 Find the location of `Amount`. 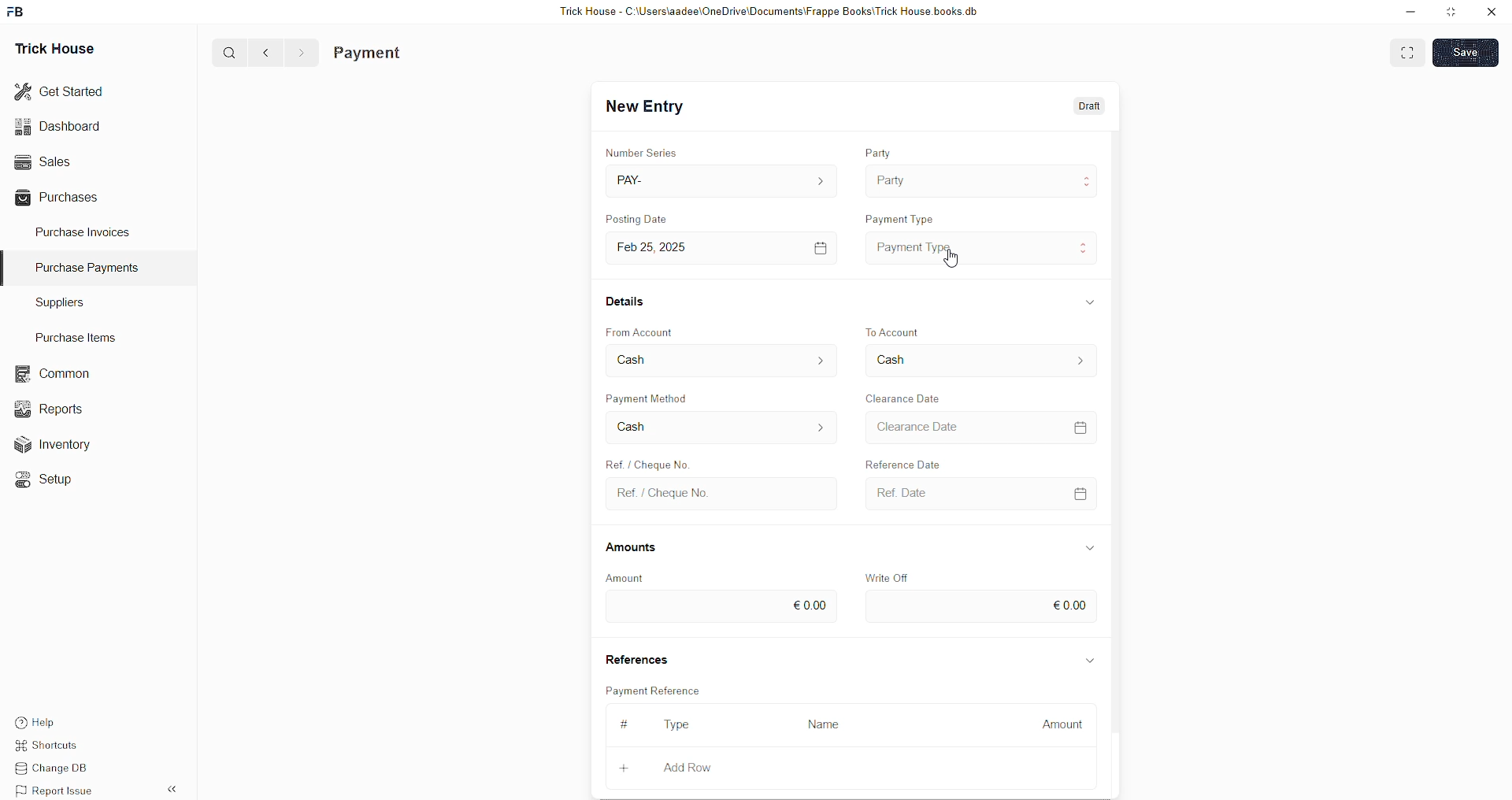

Amount is located at coordinates (1062, 720).